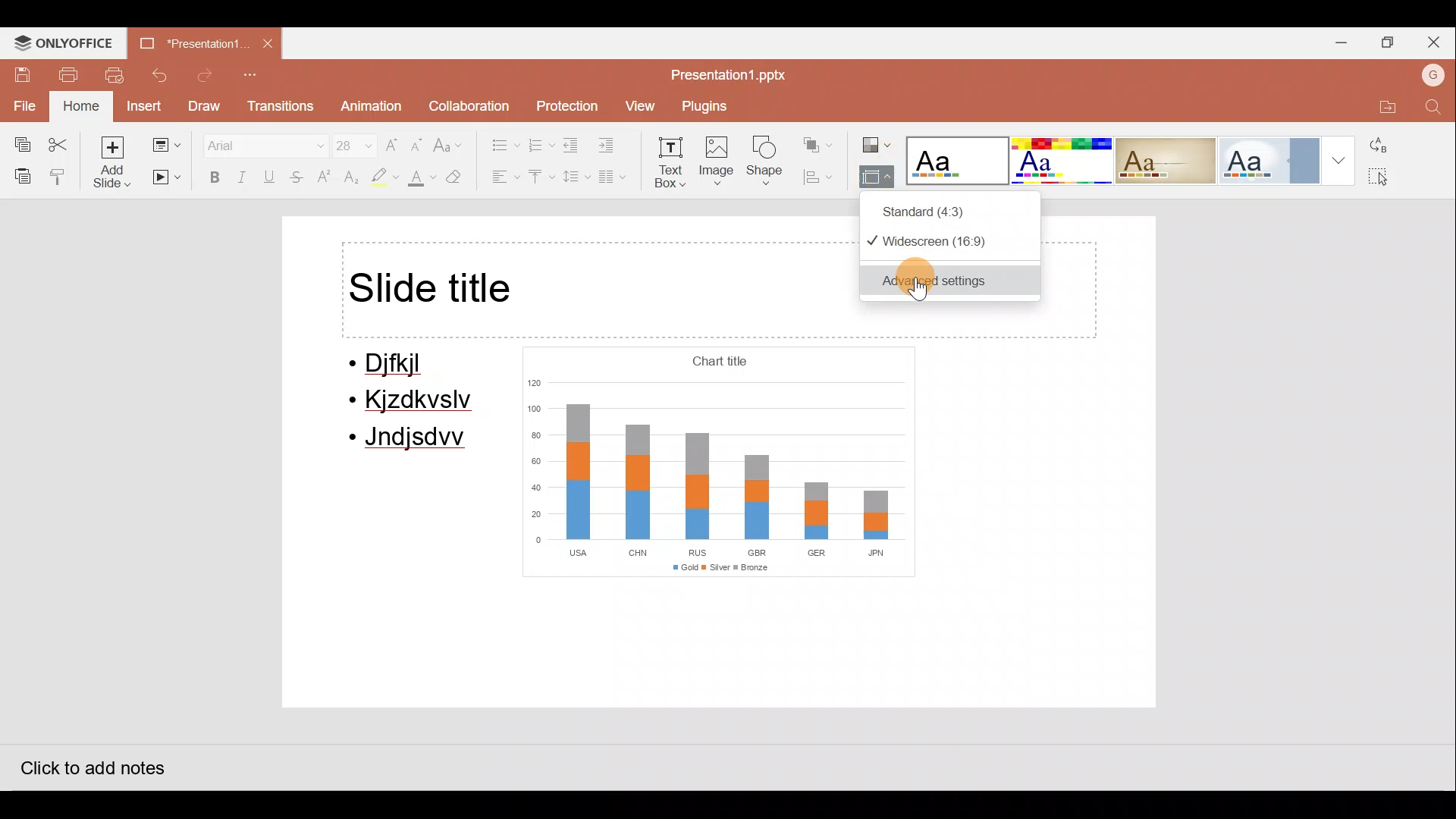  What do you see at coordinates (672, 165) in the screenshot?
I see `Text box` at bounding box center [672, 165].